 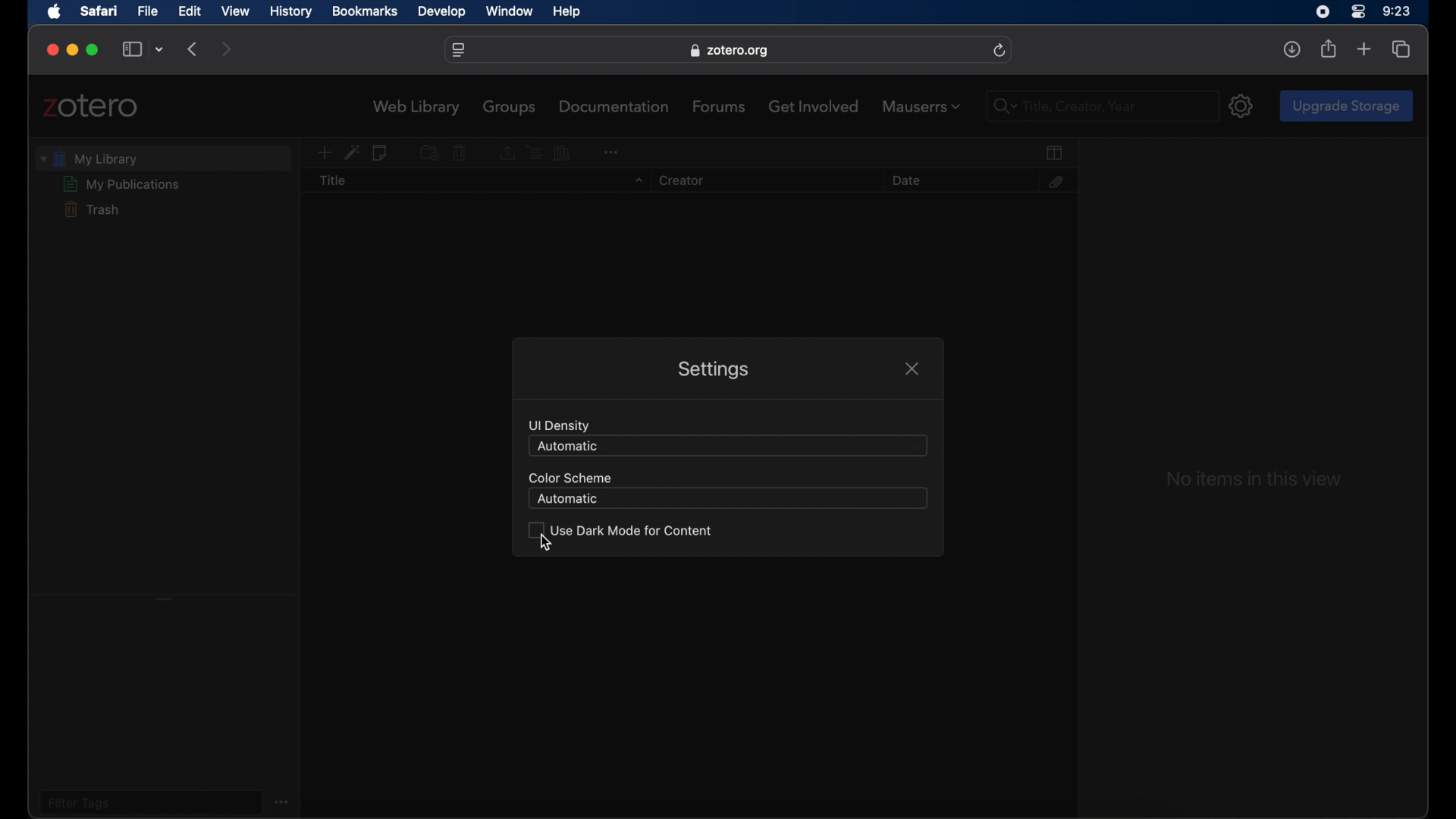 What do you see at coordinates (99, 11) in the screenshot?
I see `safari` at bounding box center [99, 11].